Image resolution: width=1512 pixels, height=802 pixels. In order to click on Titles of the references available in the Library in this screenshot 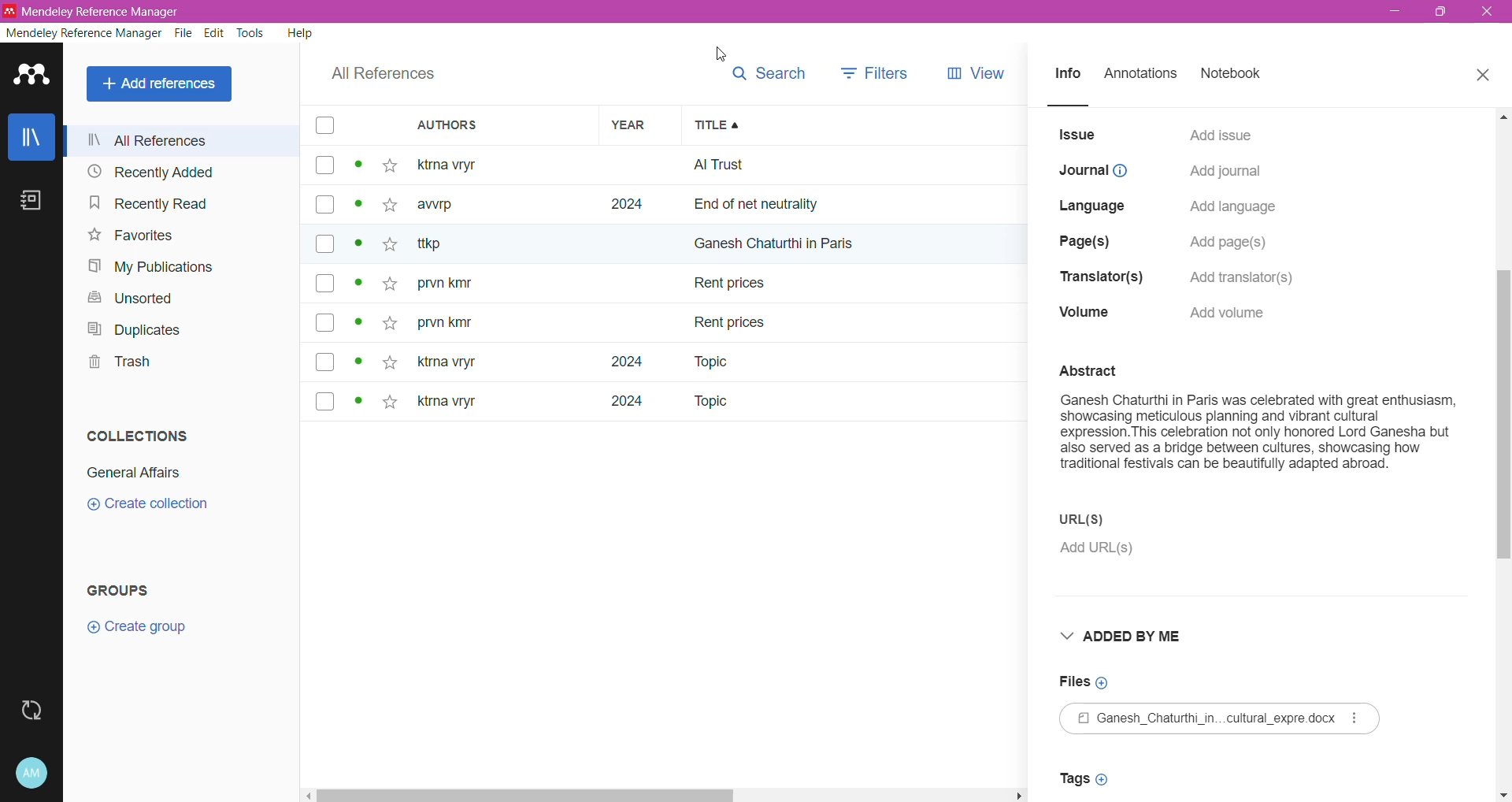, I will do `click(855, 284)`.